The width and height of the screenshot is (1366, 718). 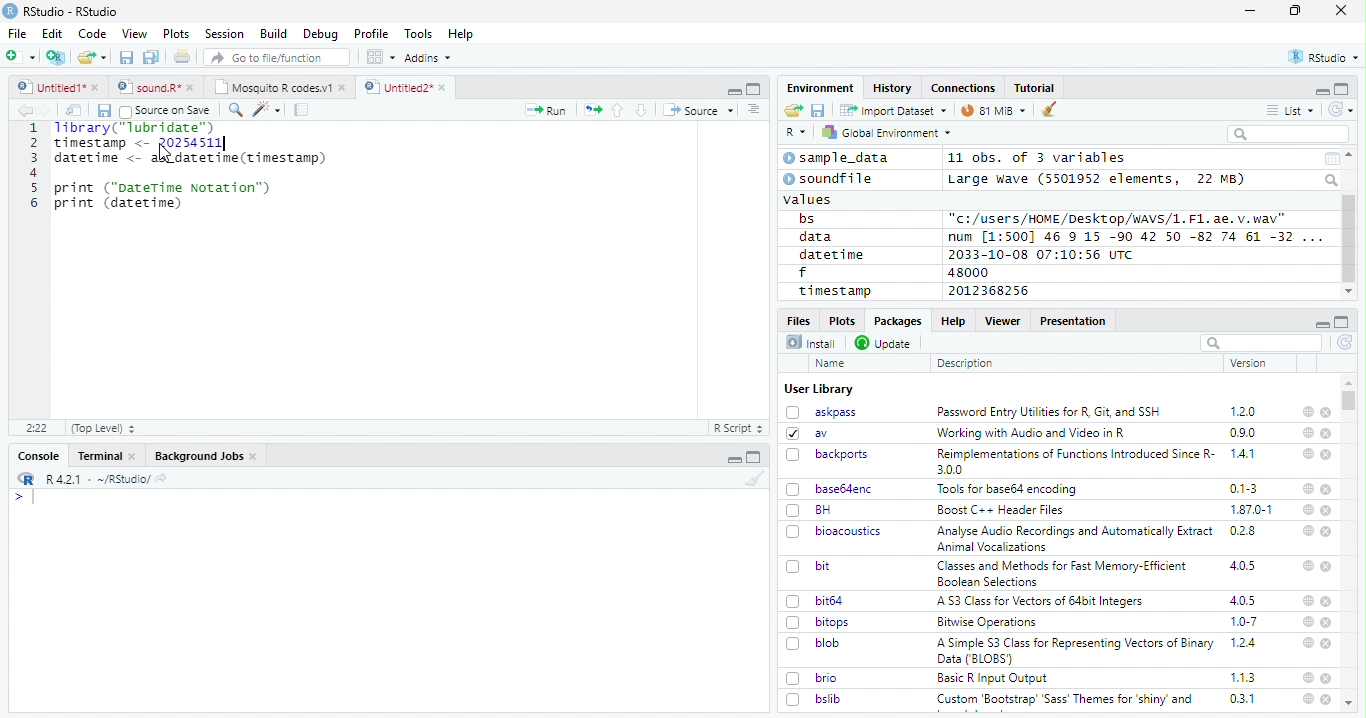 I want to click on 4.0.5, so click(x=1243, y=600).